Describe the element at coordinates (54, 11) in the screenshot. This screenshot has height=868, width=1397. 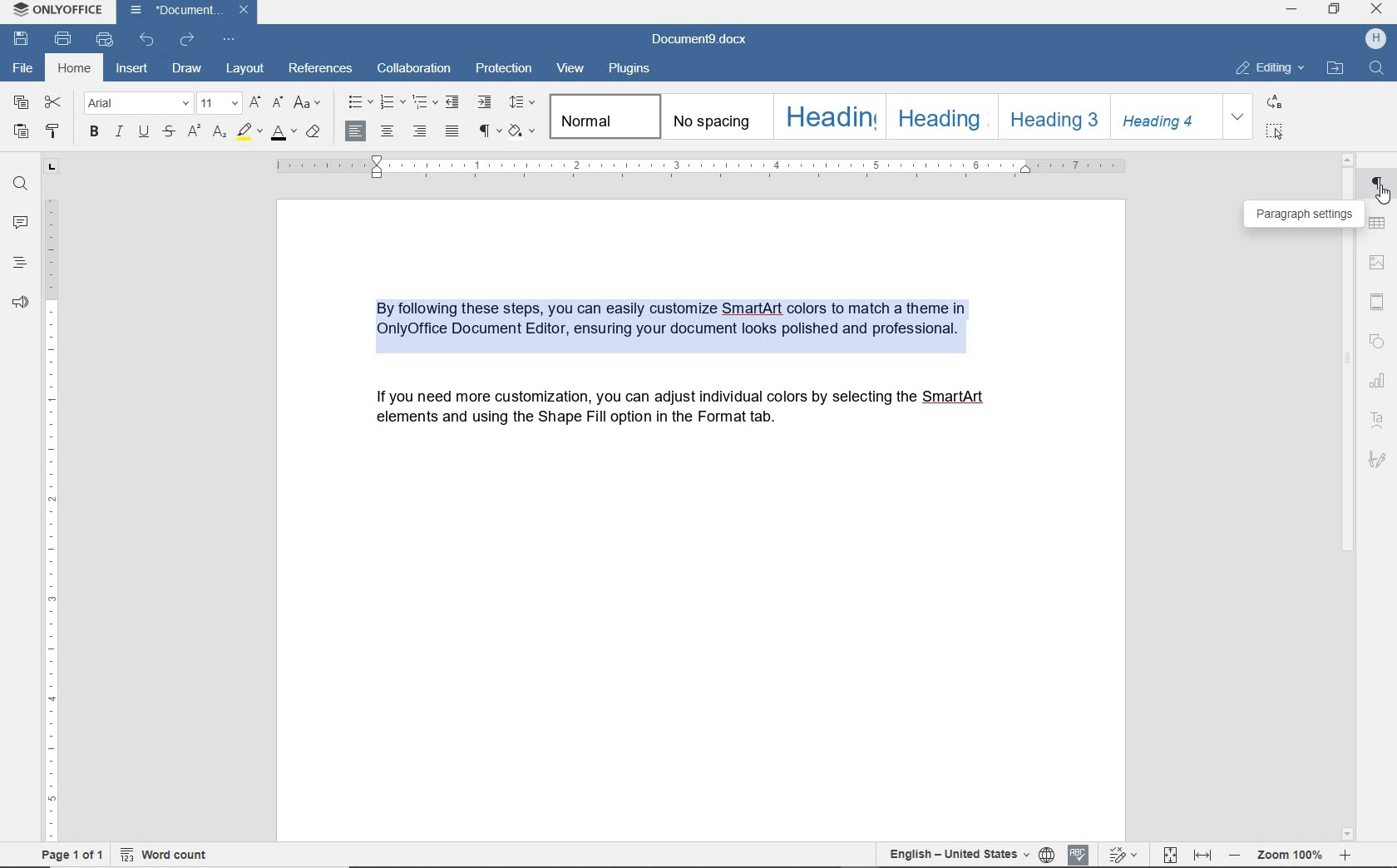
I see `system name` at that location.